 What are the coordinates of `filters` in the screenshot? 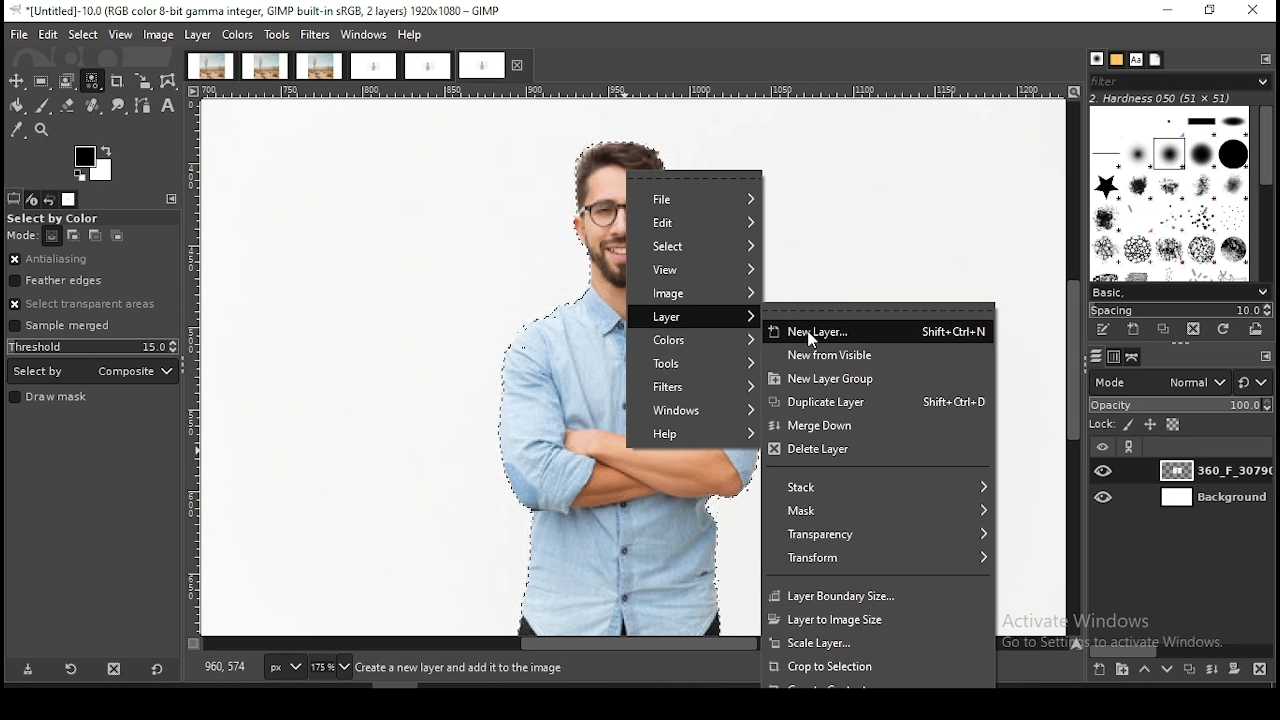 It's located at (316, 35).